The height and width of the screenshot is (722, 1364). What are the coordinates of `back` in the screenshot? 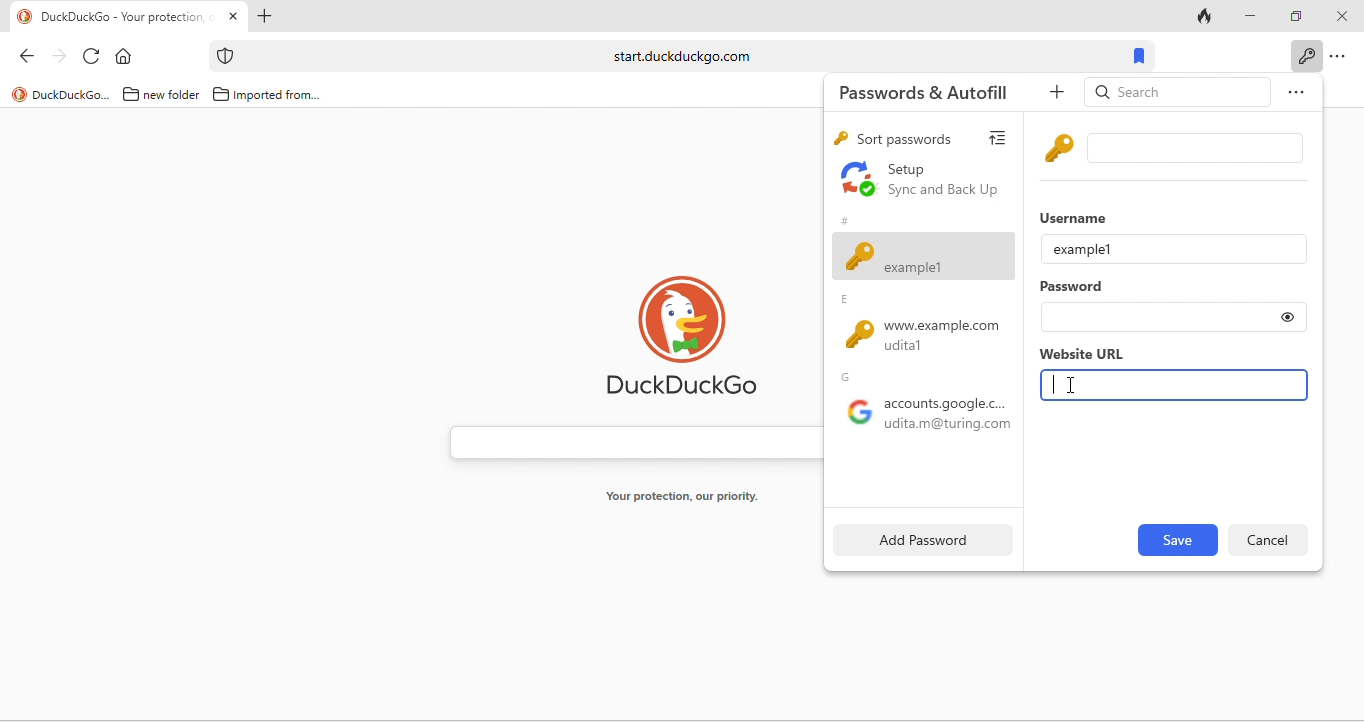 It's located at (21, 54).